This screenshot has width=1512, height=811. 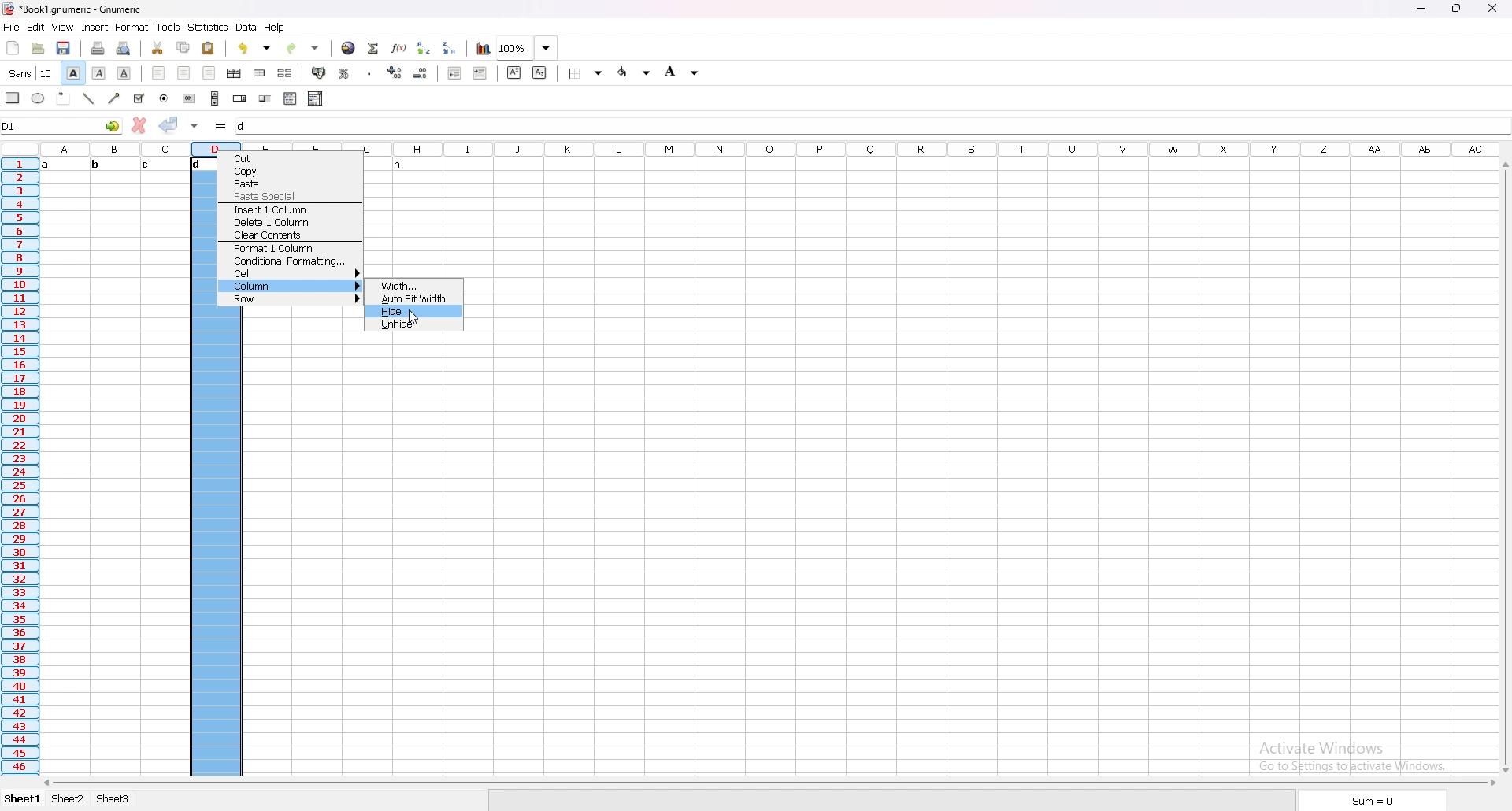 I want to click on zoom, so click(x=527, y=48).